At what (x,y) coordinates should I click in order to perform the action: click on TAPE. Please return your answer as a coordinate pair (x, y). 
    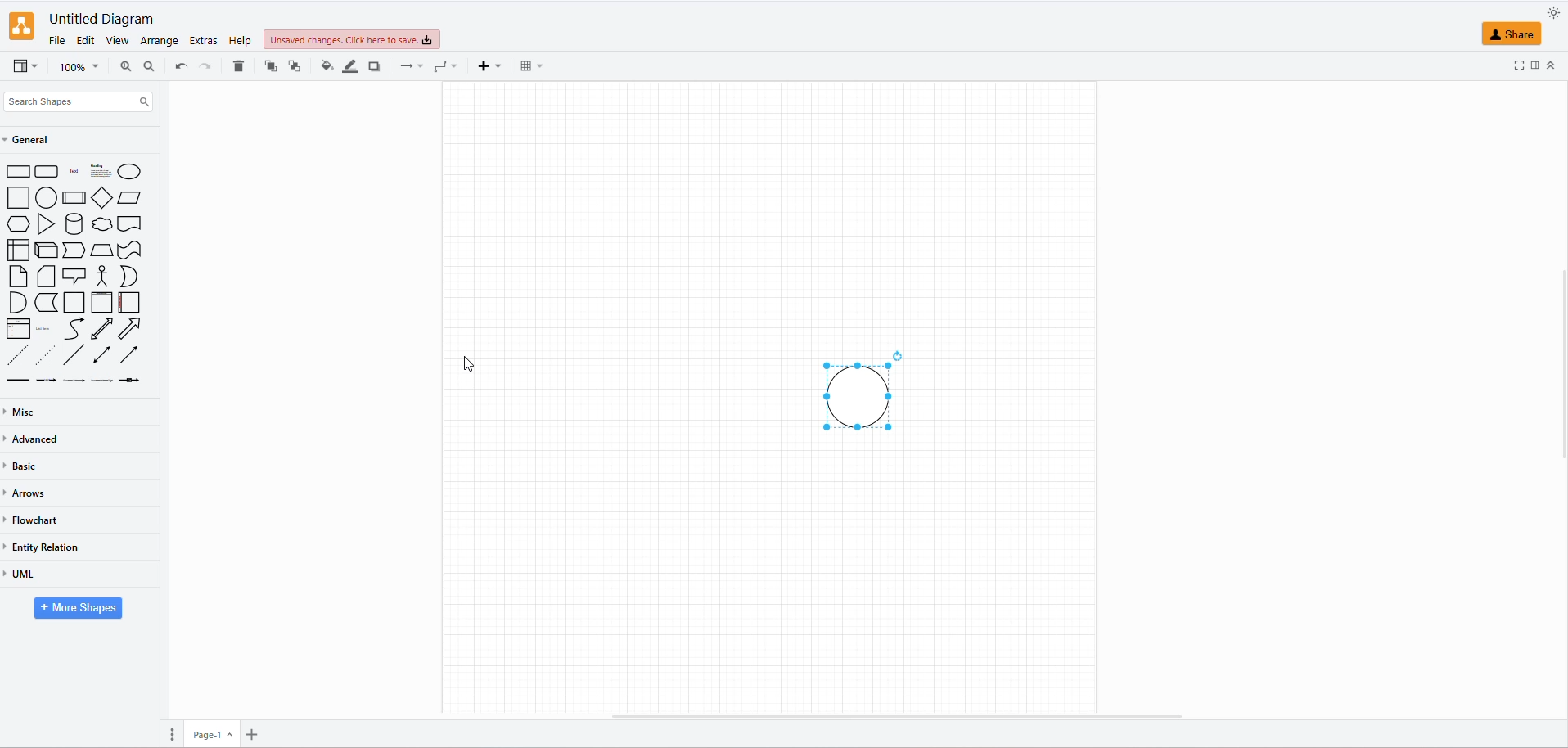
    Looking at the image, I should click on (131, 250).